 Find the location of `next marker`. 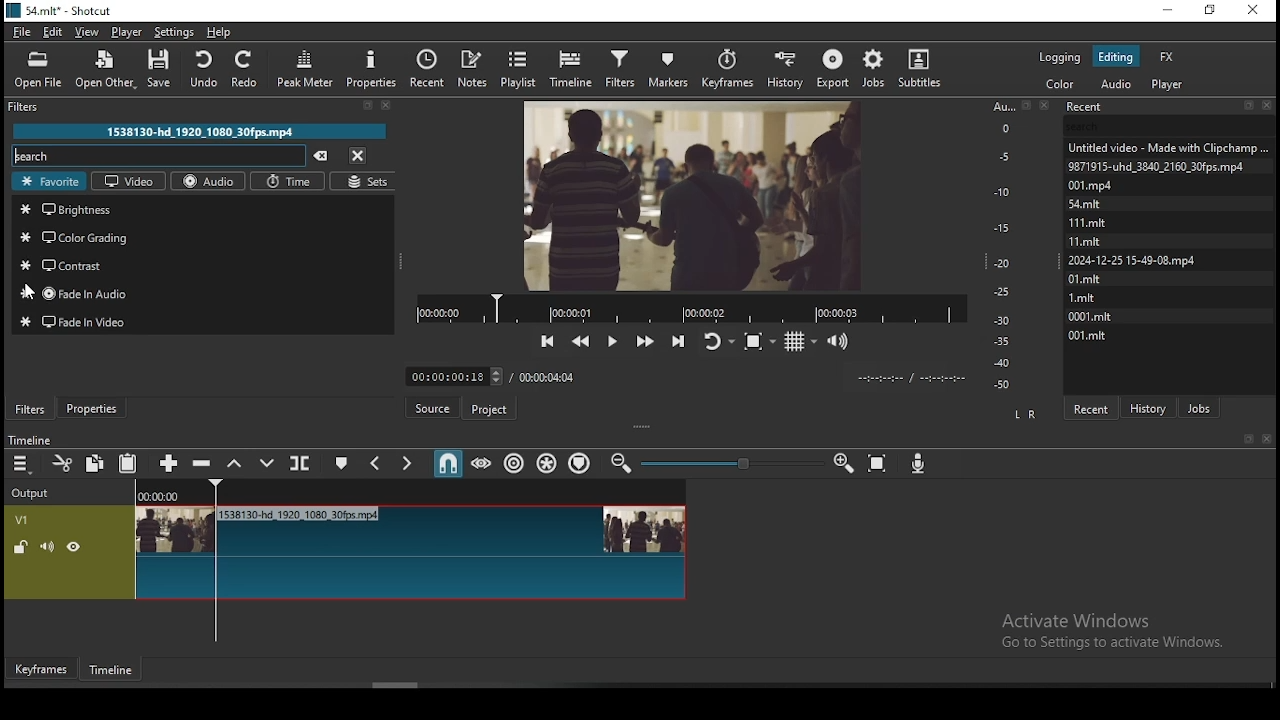

next marker is located at coordinates (404, 464).